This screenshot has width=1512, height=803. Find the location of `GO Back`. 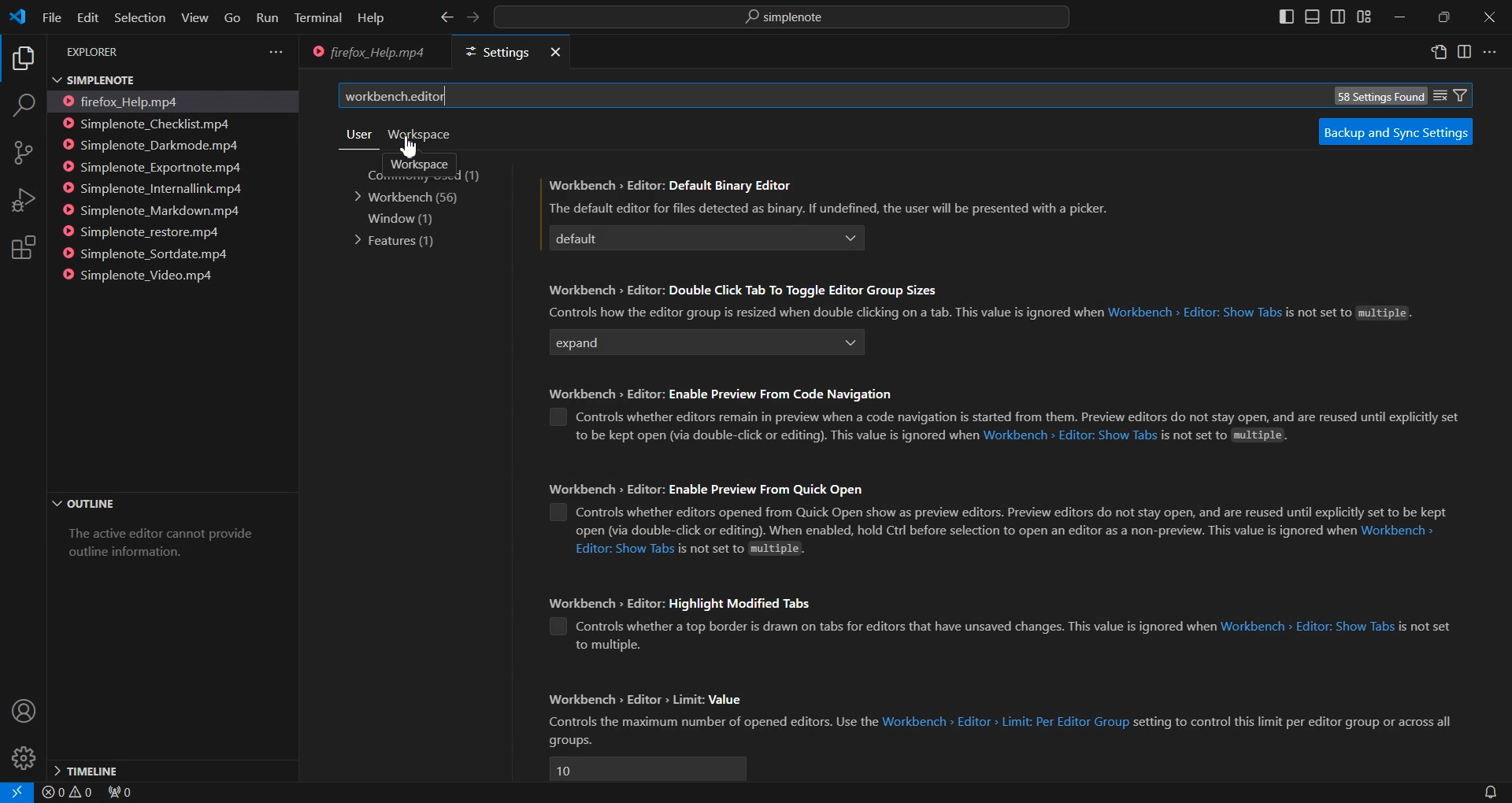

GO Back is located at coordinates (447, 17).